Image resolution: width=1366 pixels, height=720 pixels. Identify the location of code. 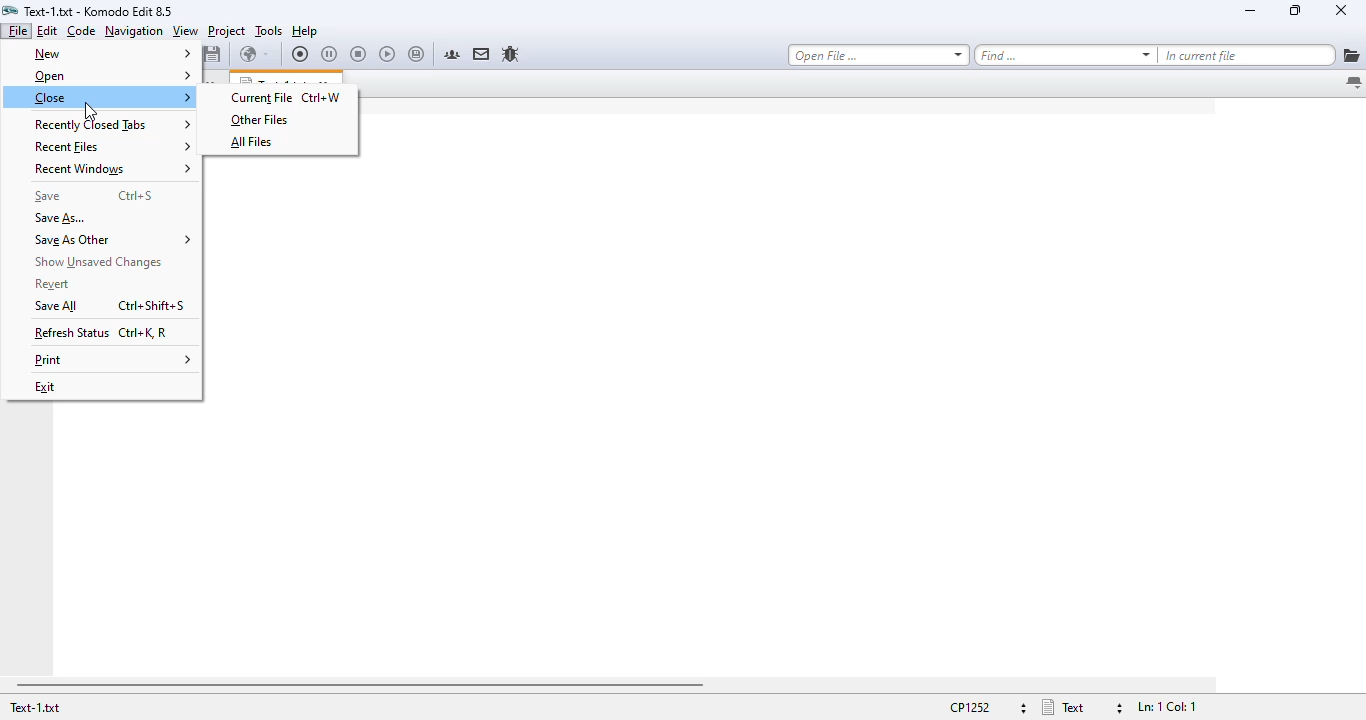
(81, 31).